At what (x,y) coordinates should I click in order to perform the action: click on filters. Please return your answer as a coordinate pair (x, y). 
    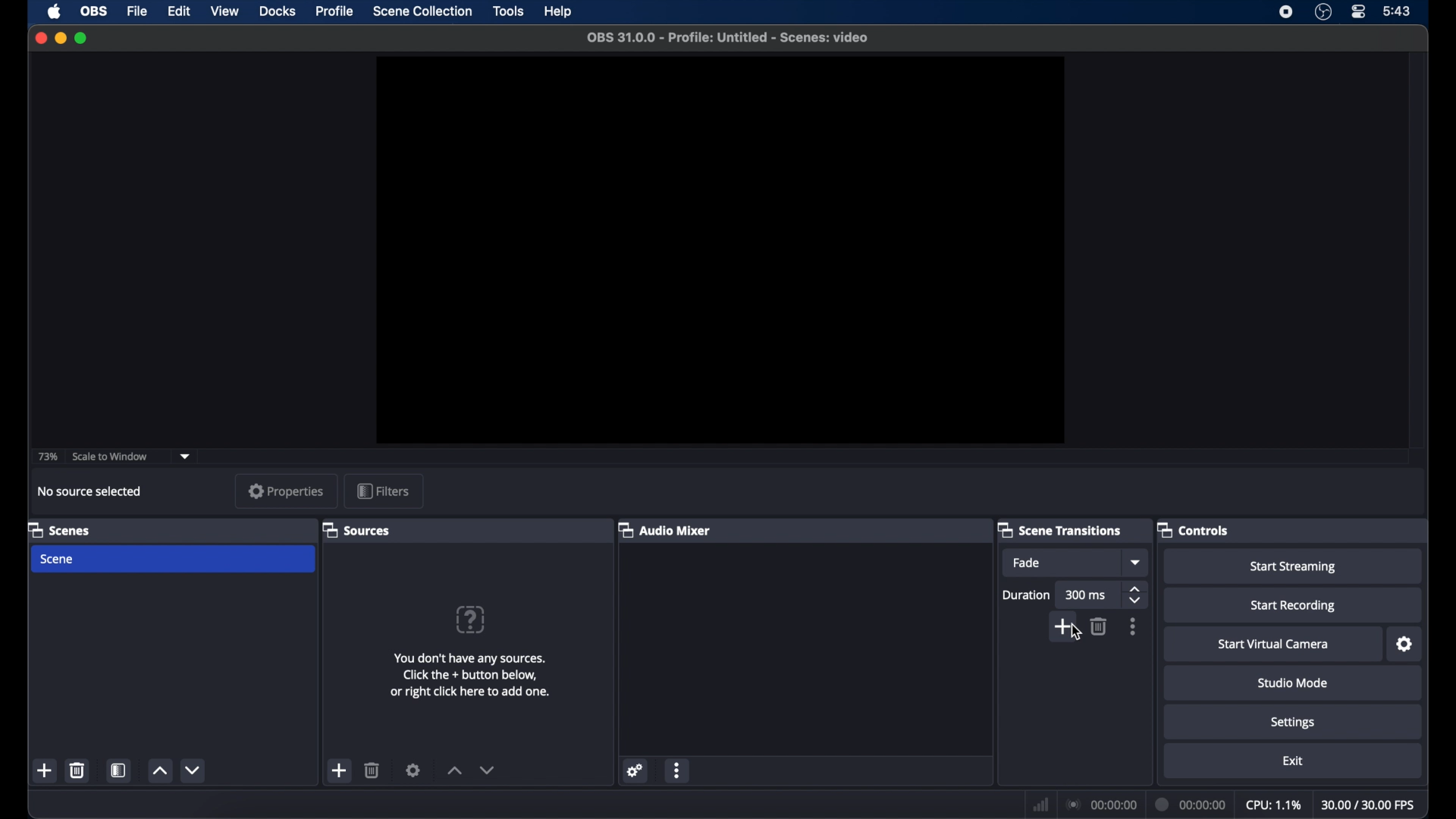
    Looking at the image, I should click on (384, 491).